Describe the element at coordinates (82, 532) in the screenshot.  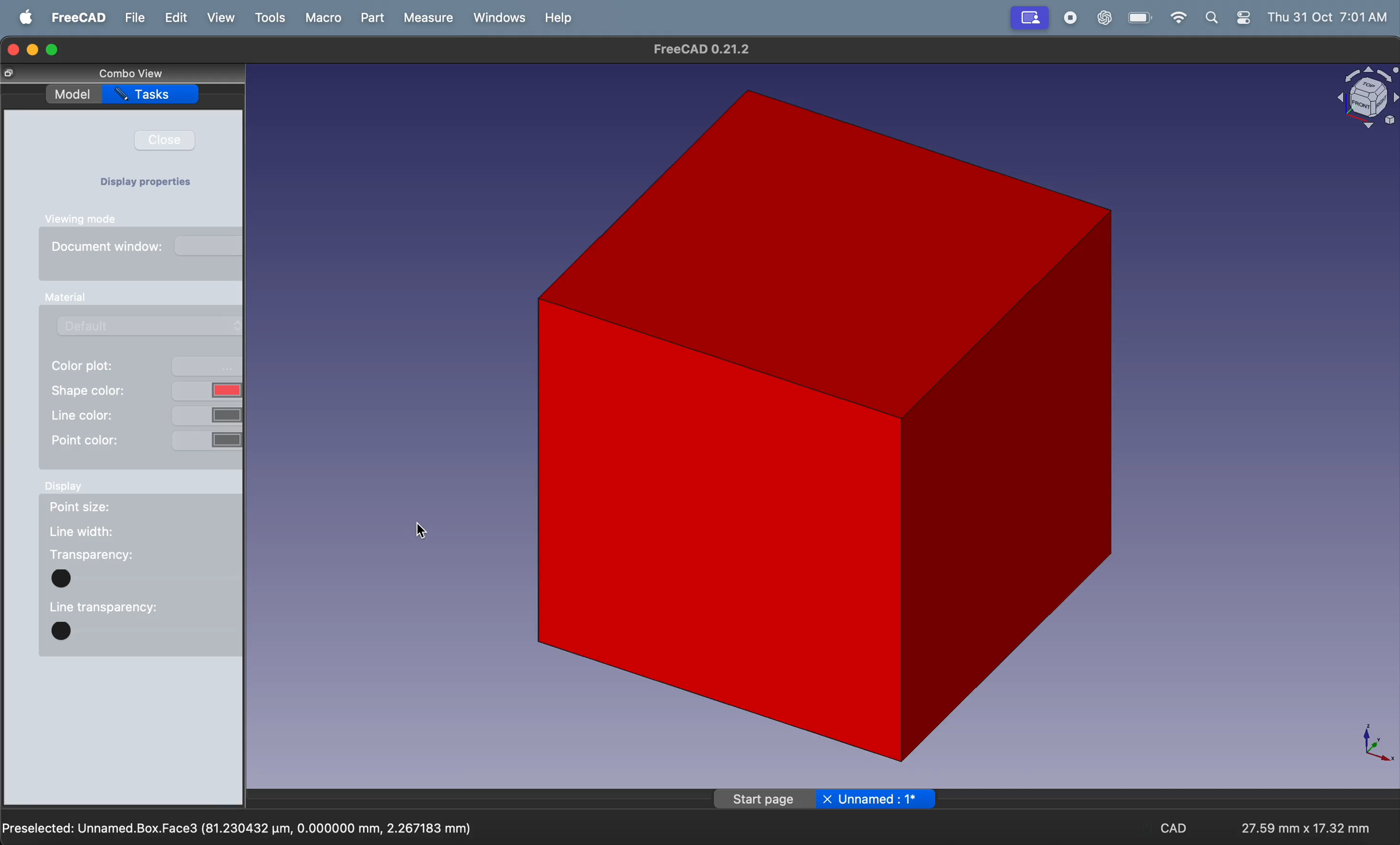
I see `line width` at that location.